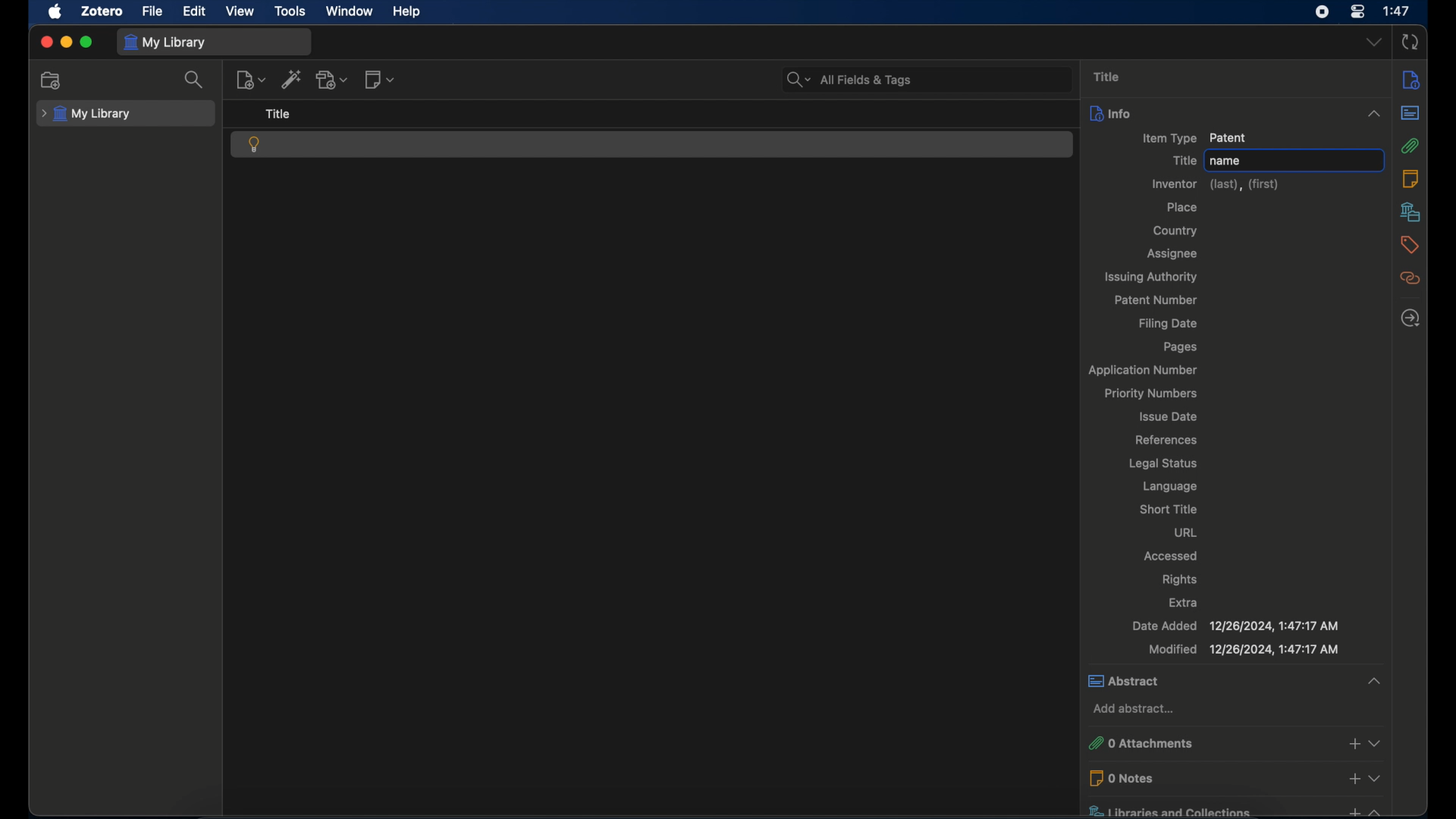  What do you see at coordinates (1136, 709) in the screenshot?
I see `add abstract` at bounding box center [1136, 709].